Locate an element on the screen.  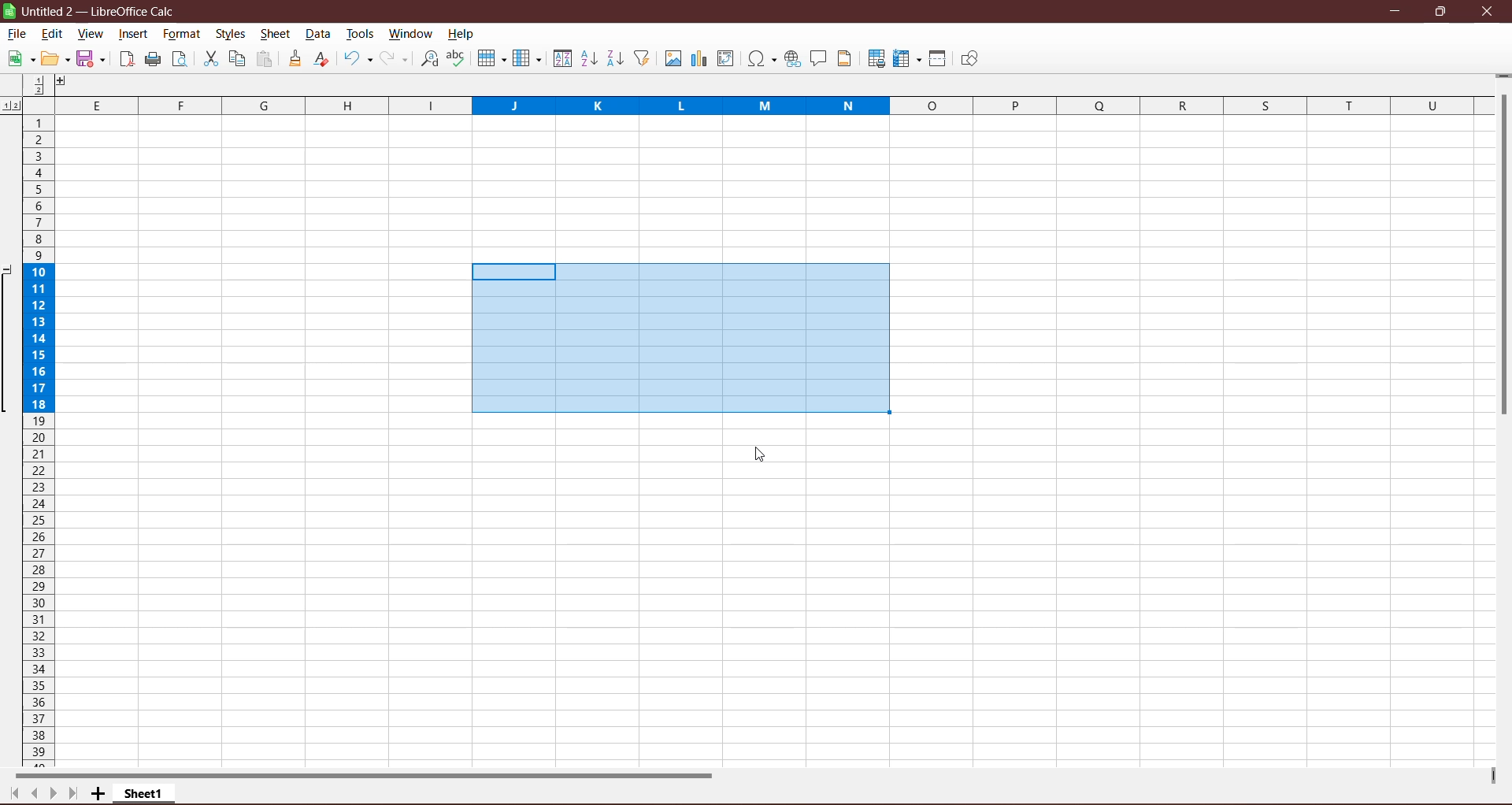
AutoFilter is located at coordinates (643, 58).